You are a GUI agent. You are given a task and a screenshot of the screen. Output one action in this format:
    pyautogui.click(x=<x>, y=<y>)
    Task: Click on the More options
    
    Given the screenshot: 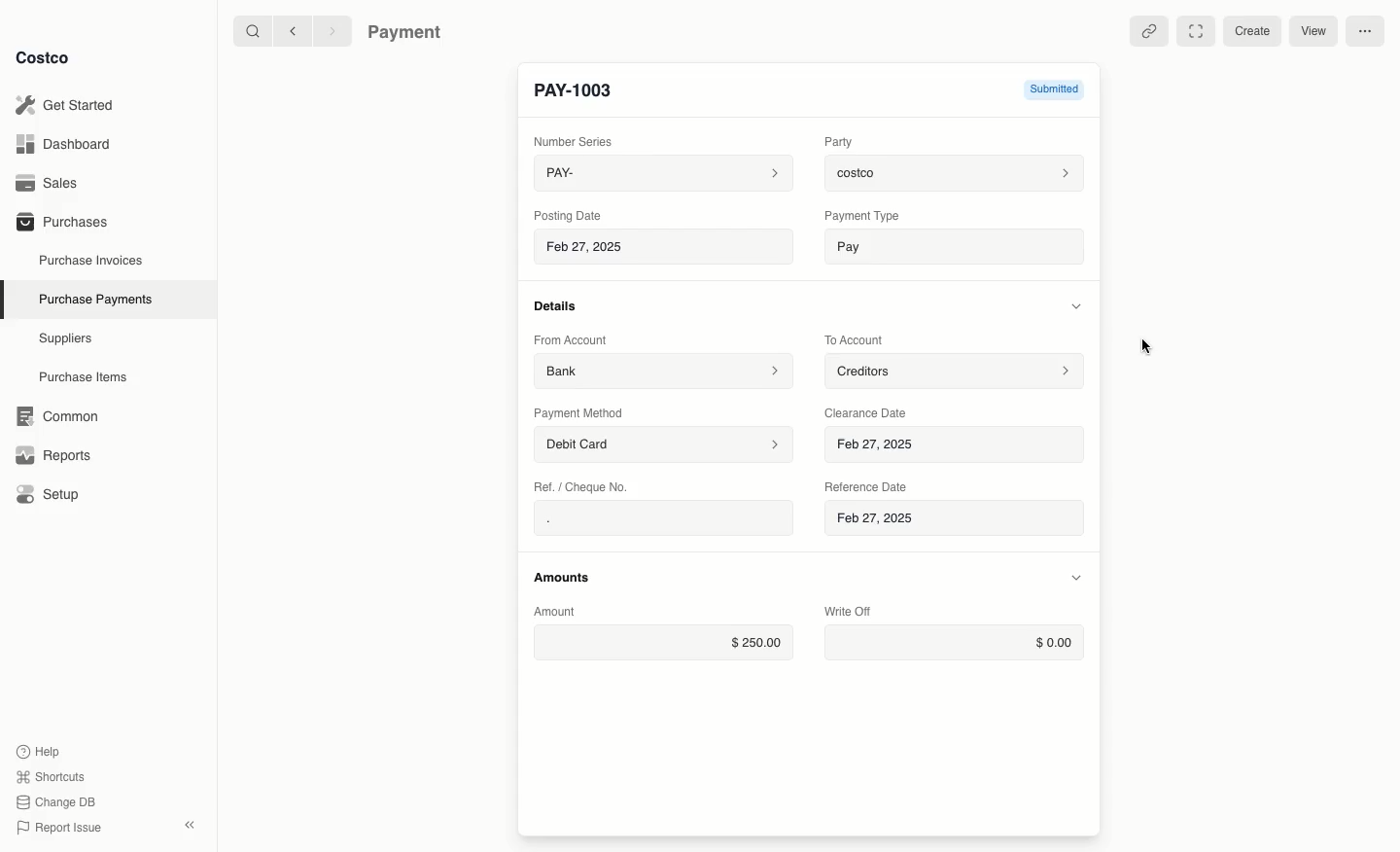 What is the action you would take?
    pyautogui.click(x=1363, y=30)
    